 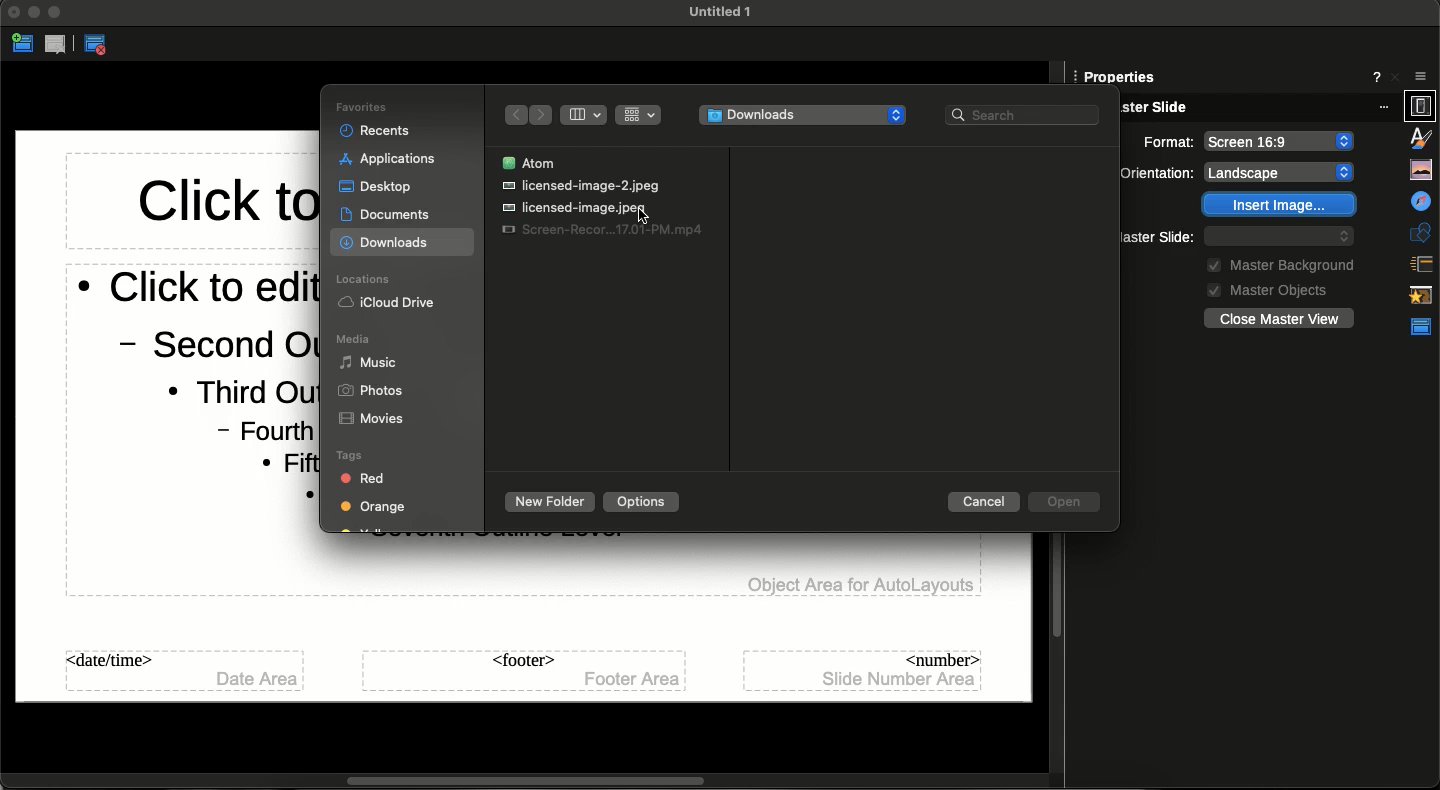 I want to click on Orientation, so click(x=1167, y=141).